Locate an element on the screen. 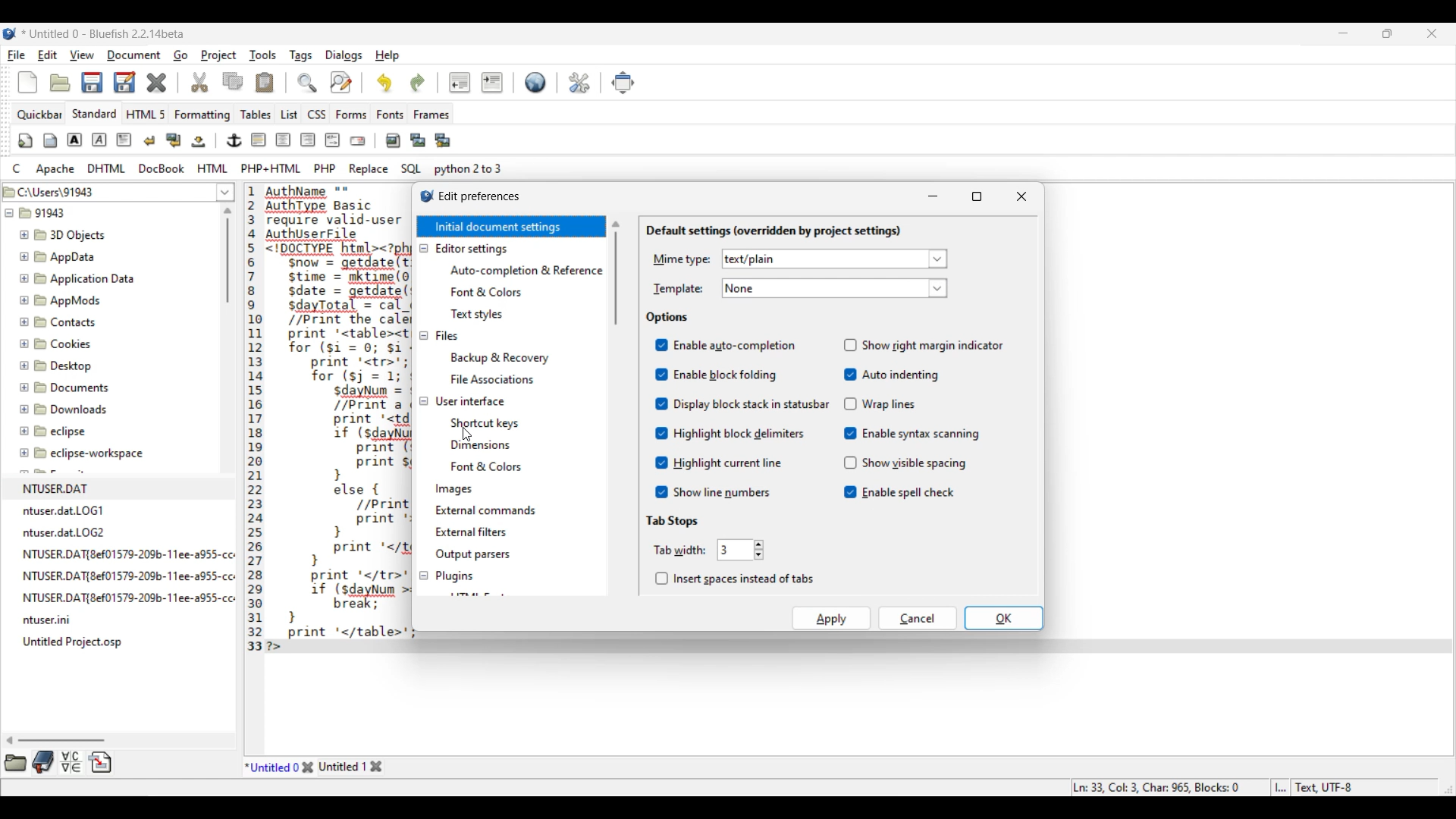 This screenshot has height=819, width=1456. Frames is located at coordinates (431, 115).